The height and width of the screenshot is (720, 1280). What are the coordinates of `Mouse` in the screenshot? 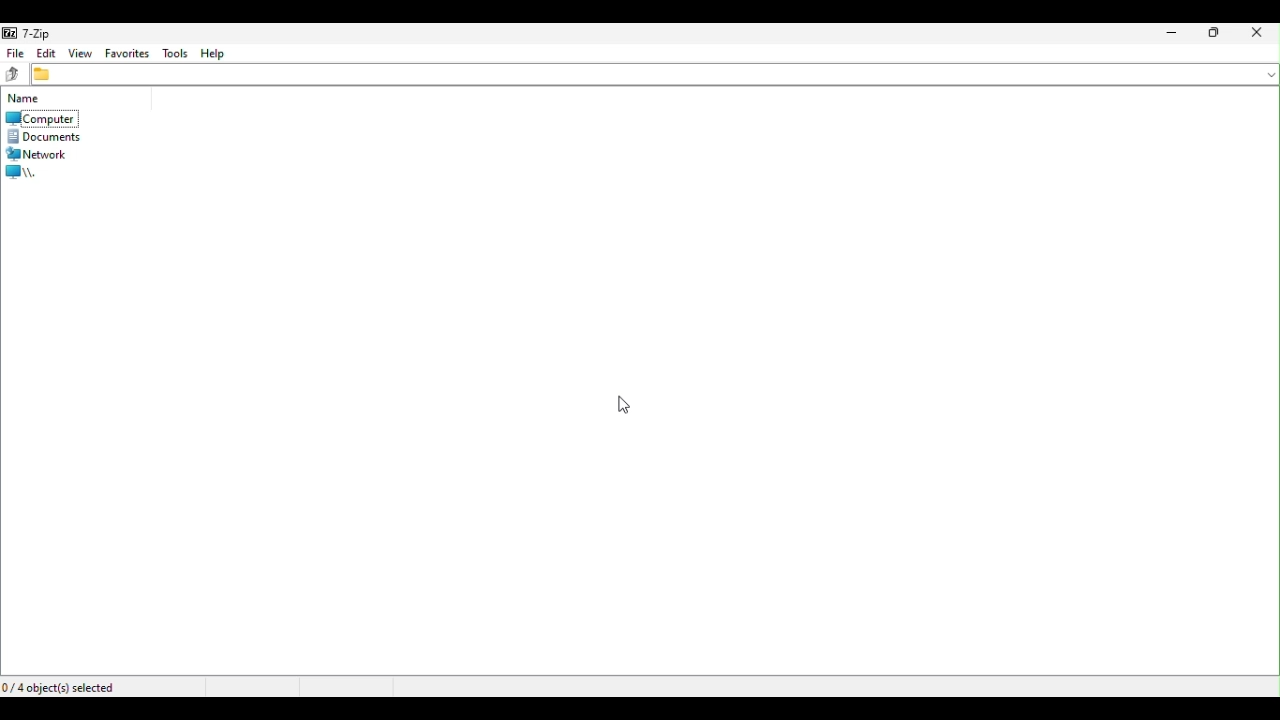 It's located at (630, 401).